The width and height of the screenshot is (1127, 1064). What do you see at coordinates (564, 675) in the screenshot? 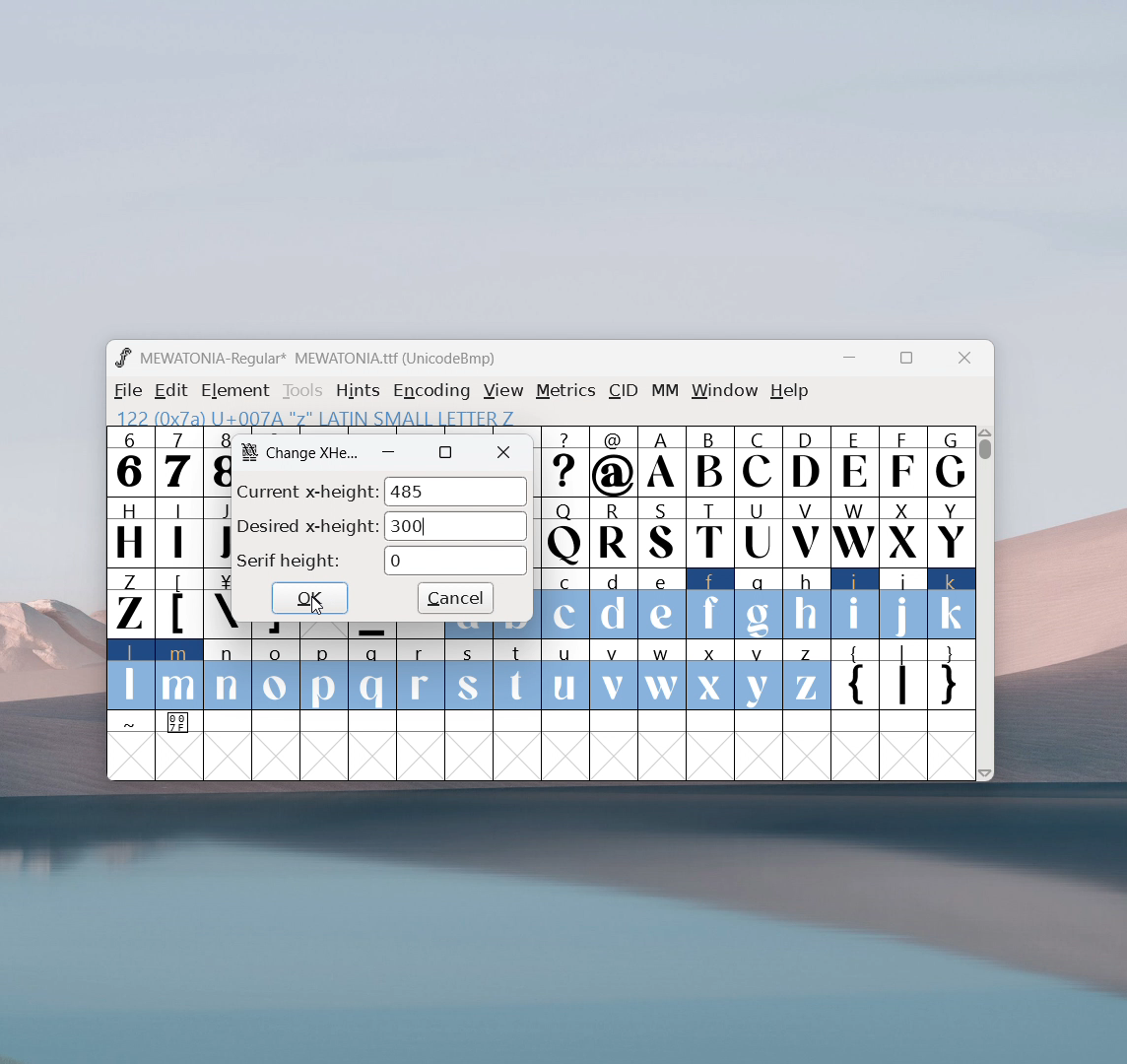
I see `u` at bounding box center [564, 675].